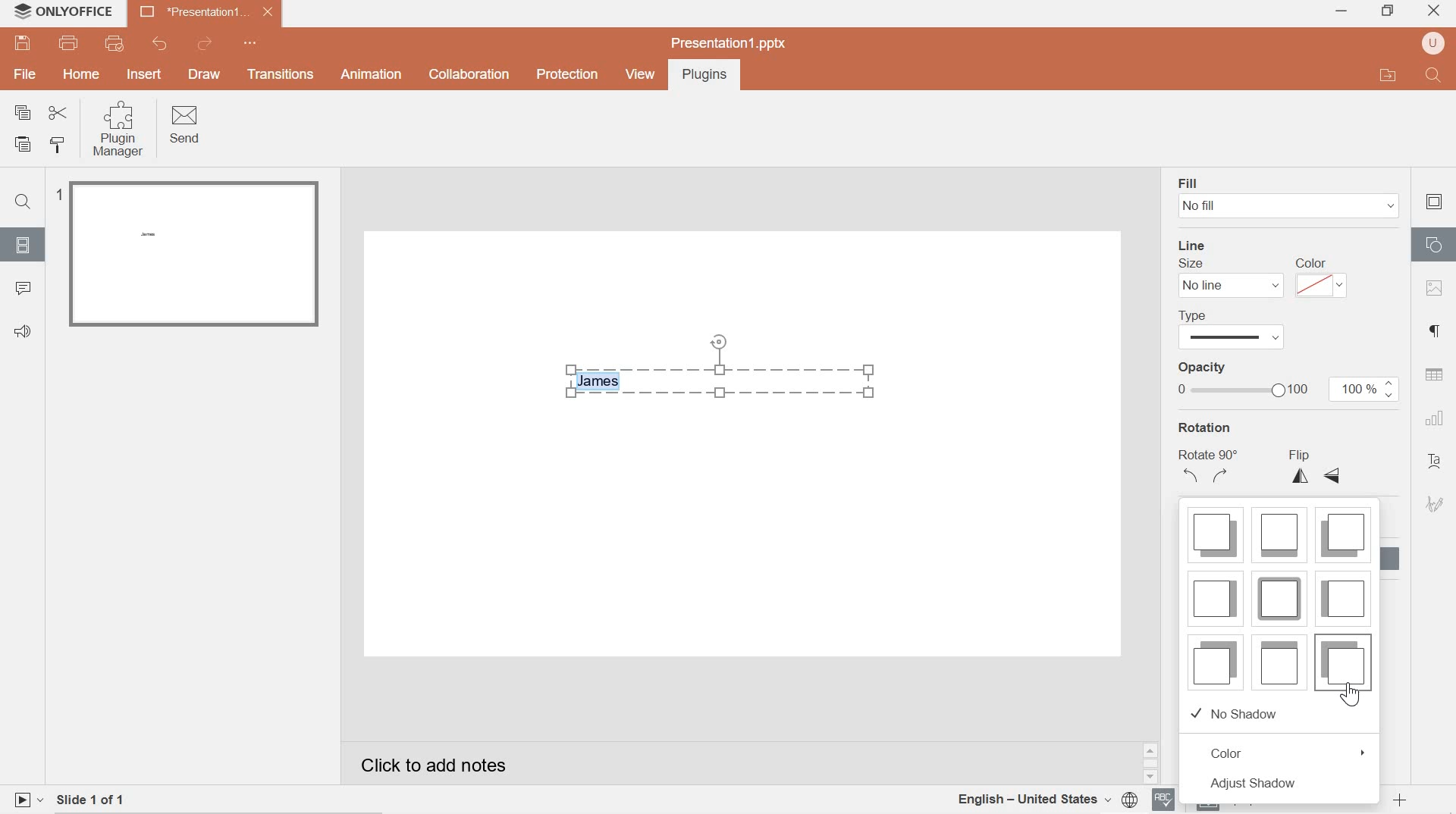  What do you see at coordinates (467, 75) in the screenshot?
I see `collaboration` at bounding box center [467, 75].